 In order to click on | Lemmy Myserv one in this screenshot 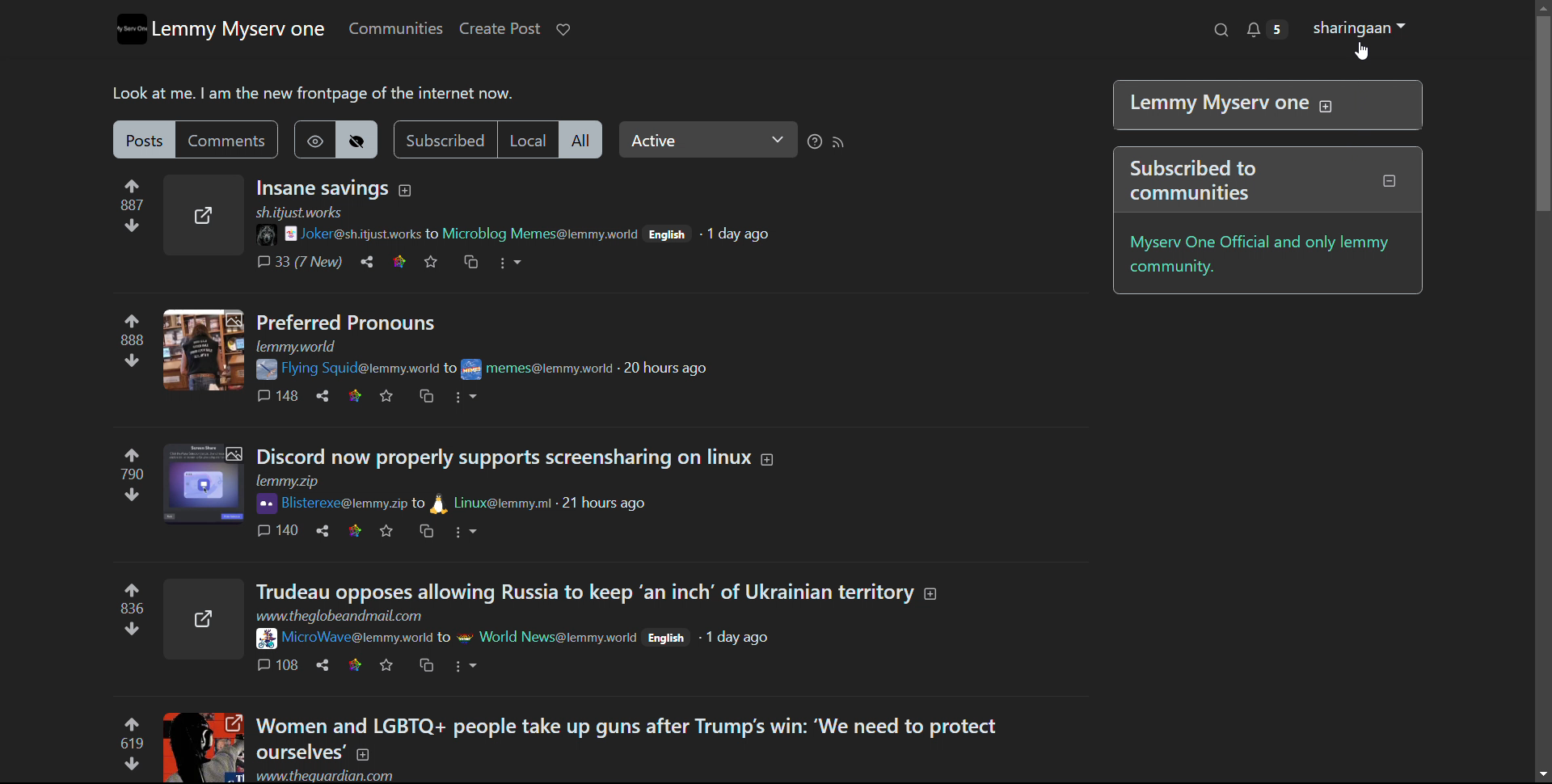, I will do `click(1216, 103)`.